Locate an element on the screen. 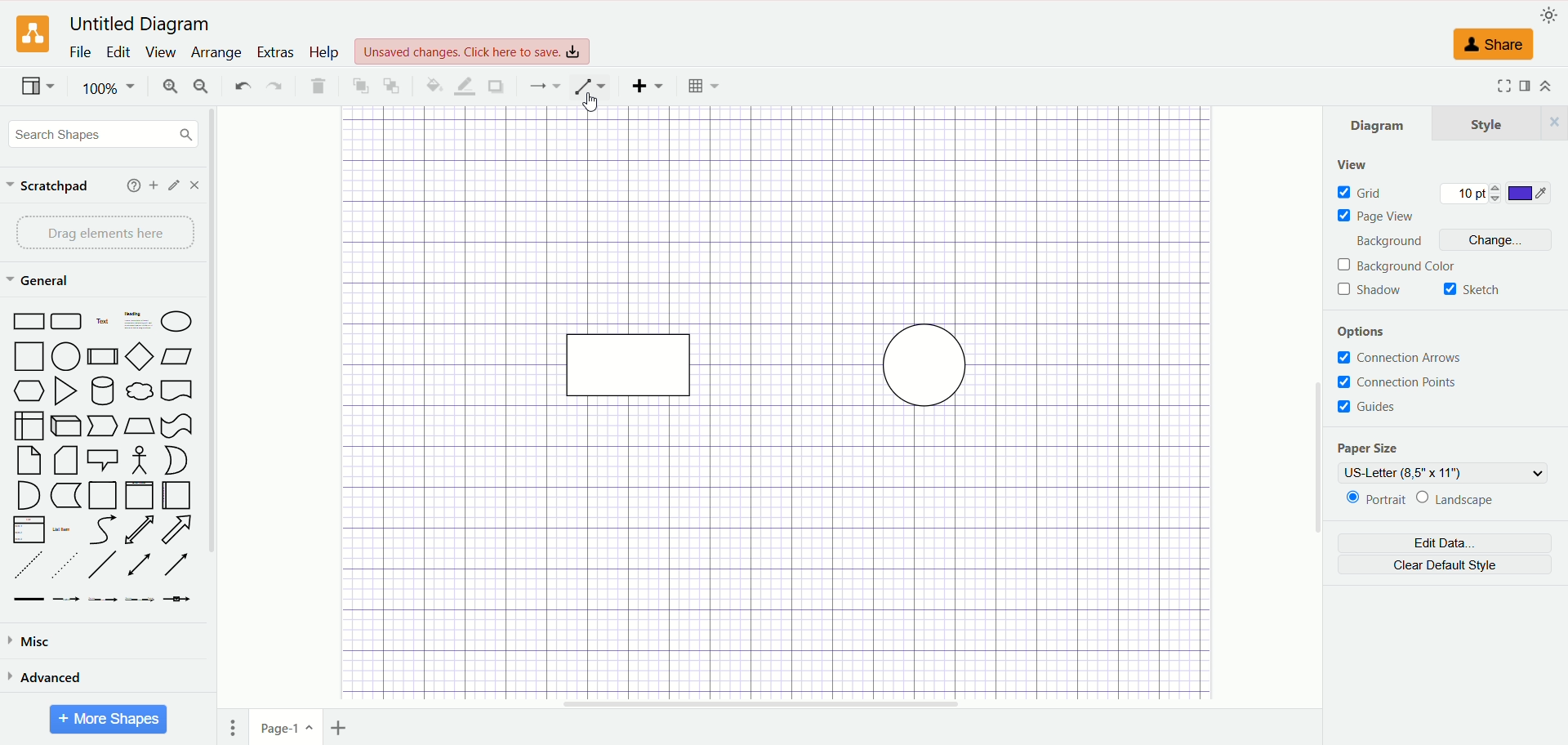  cursor is located at coordinates (589, 103).